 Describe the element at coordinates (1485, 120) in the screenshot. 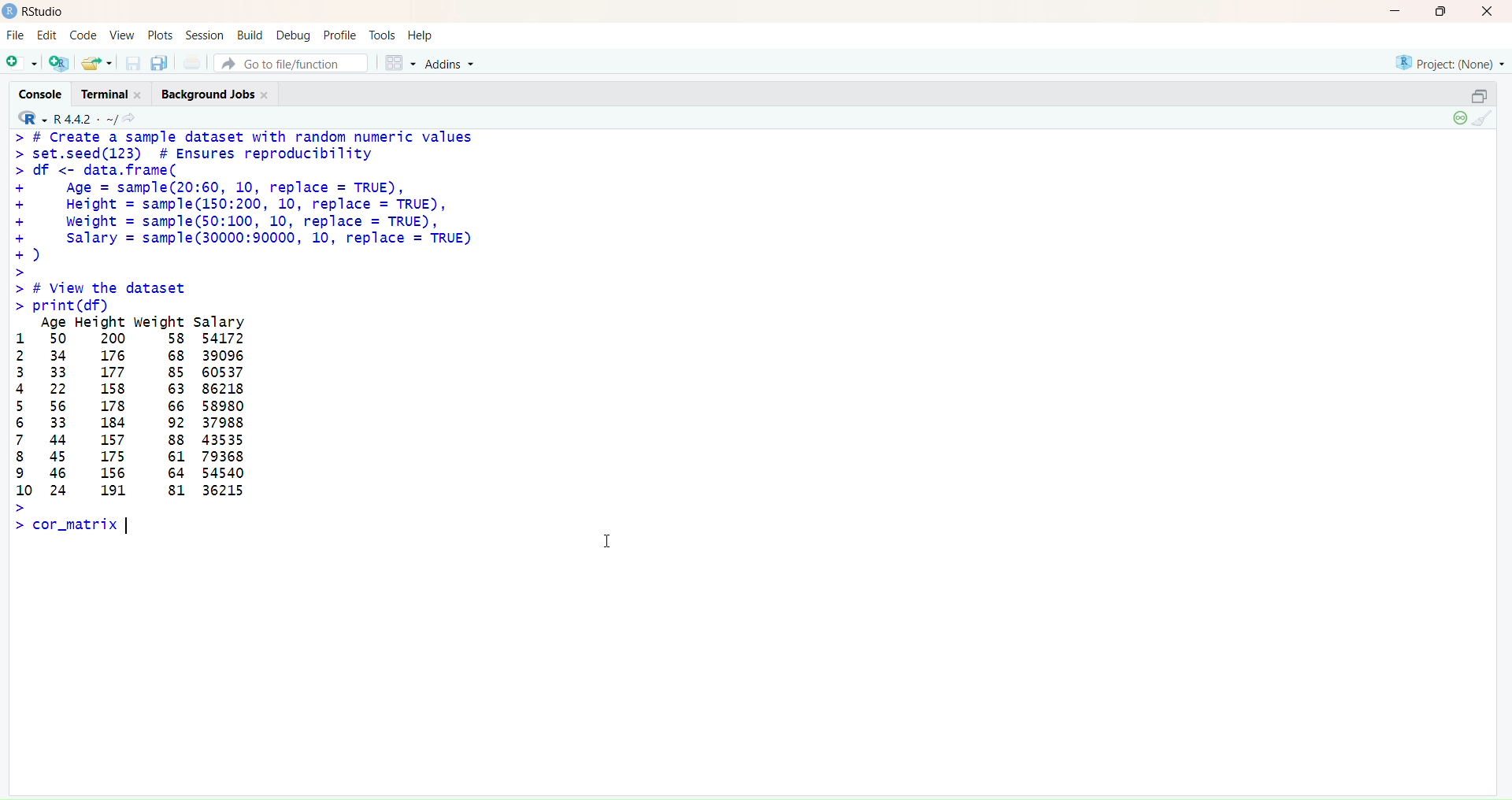

I see `Clear Console (Ctrl + L)` at that location.